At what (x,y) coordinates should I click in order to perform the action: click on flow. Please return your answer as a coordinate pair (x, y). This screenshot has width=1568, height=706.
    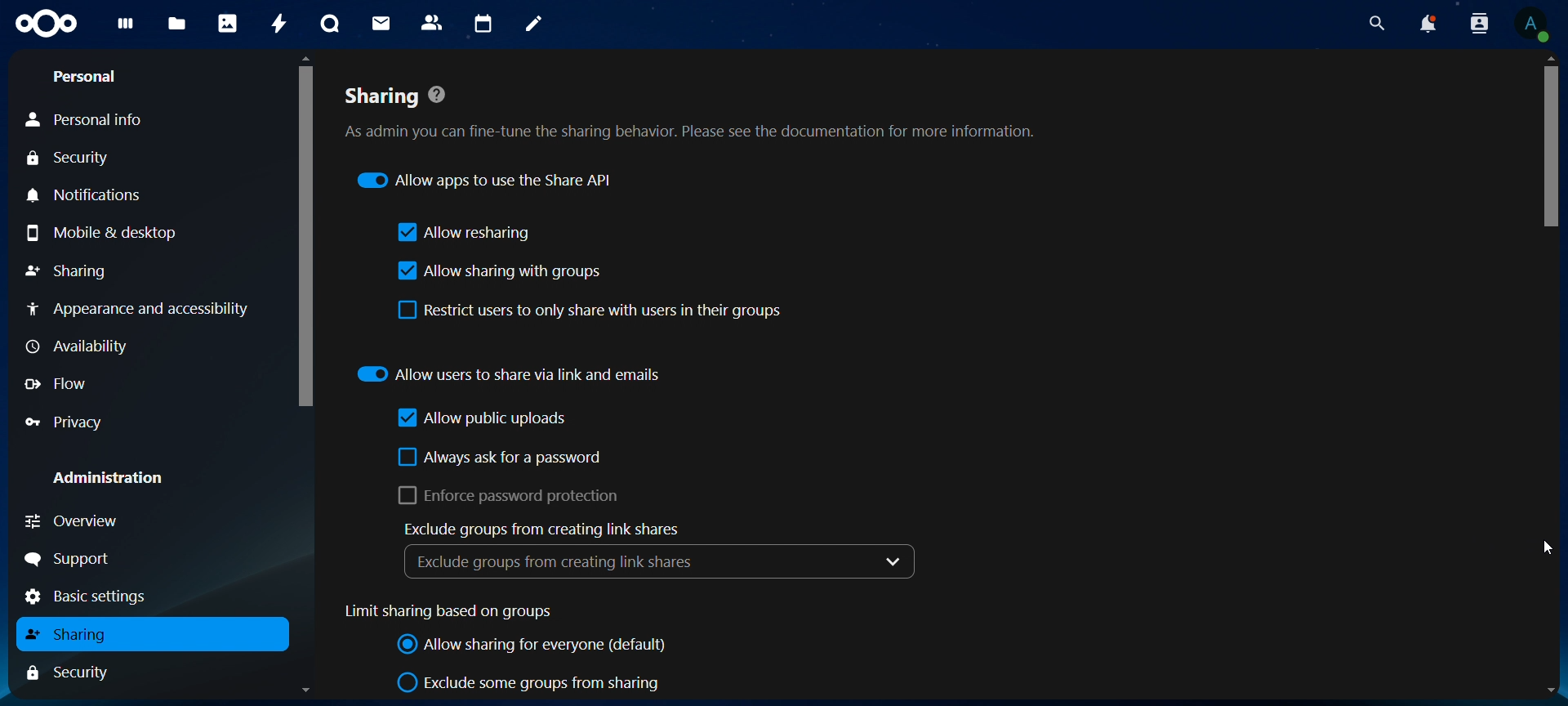
    Looking at the image, I should click on (60, 383).